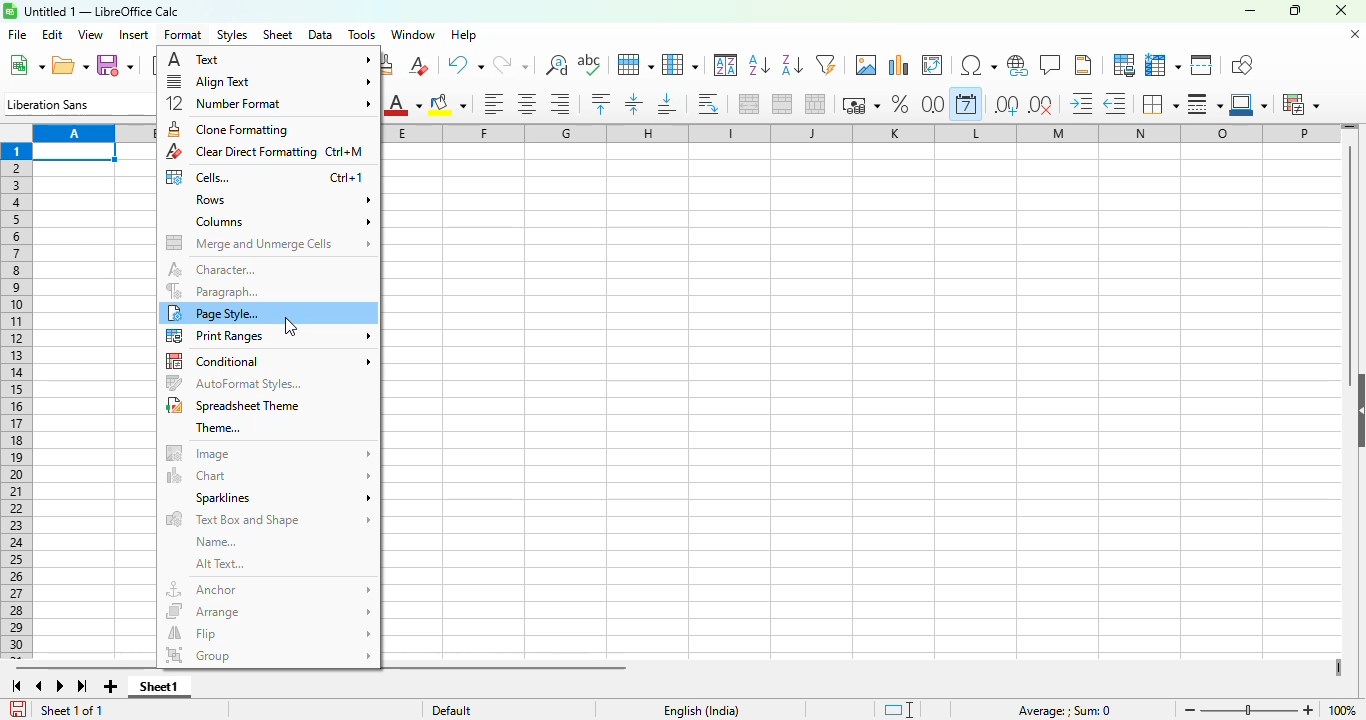 This screenshot has height=720, width=1366. Describe the element at coordinates (508, 668) in the screenshot. I see `horizontal scroll bar` at that location.